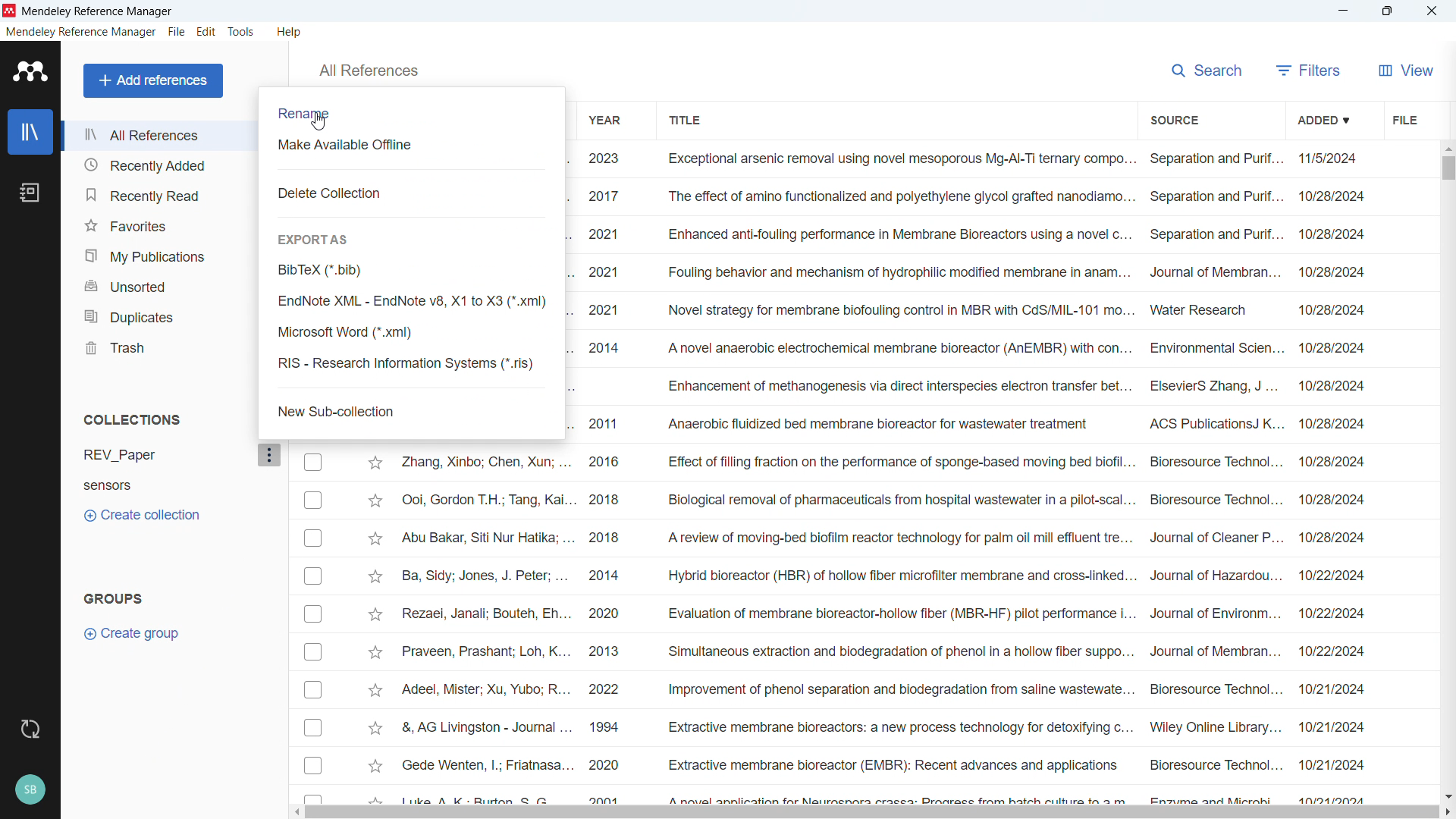 Image resolution: width=1456 pixels, height=819 pixels. I want to click on Horizontal scrollbar , so click(873, 813).